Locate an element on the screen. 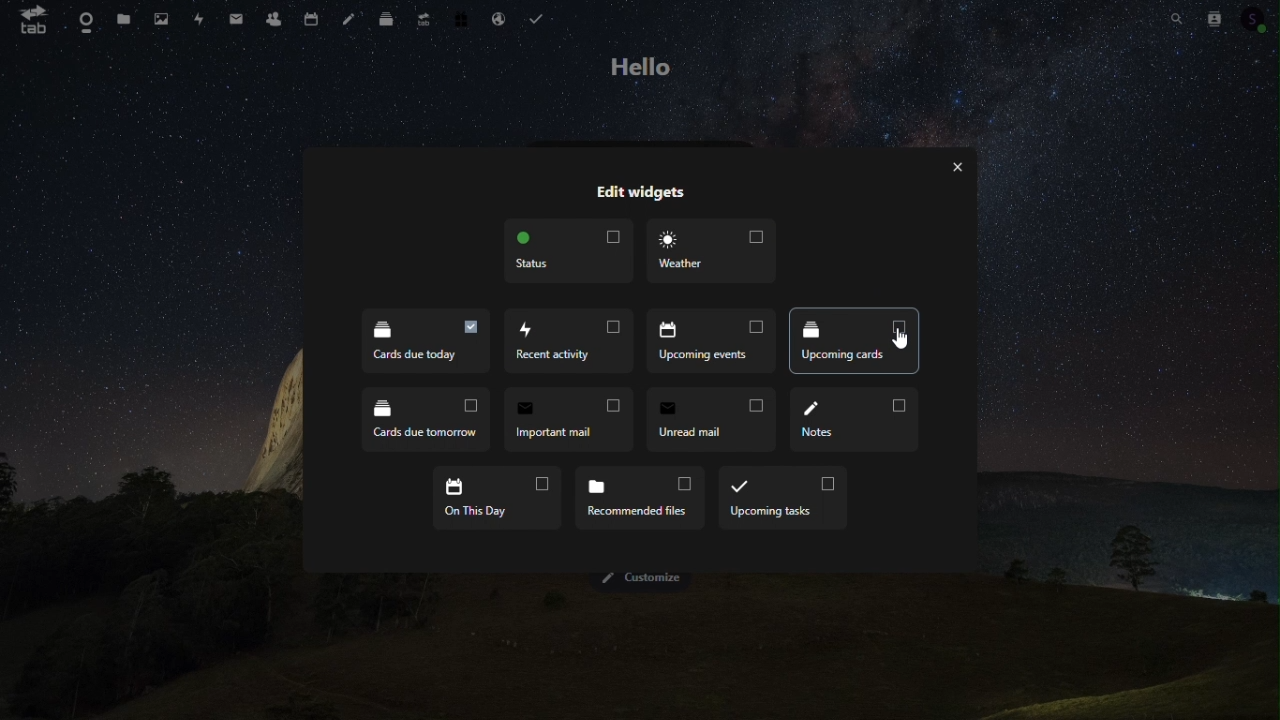 Image resolution: width=1280 pixels, height=720 pixels. Recommended files is located at coordinates (641, 500).